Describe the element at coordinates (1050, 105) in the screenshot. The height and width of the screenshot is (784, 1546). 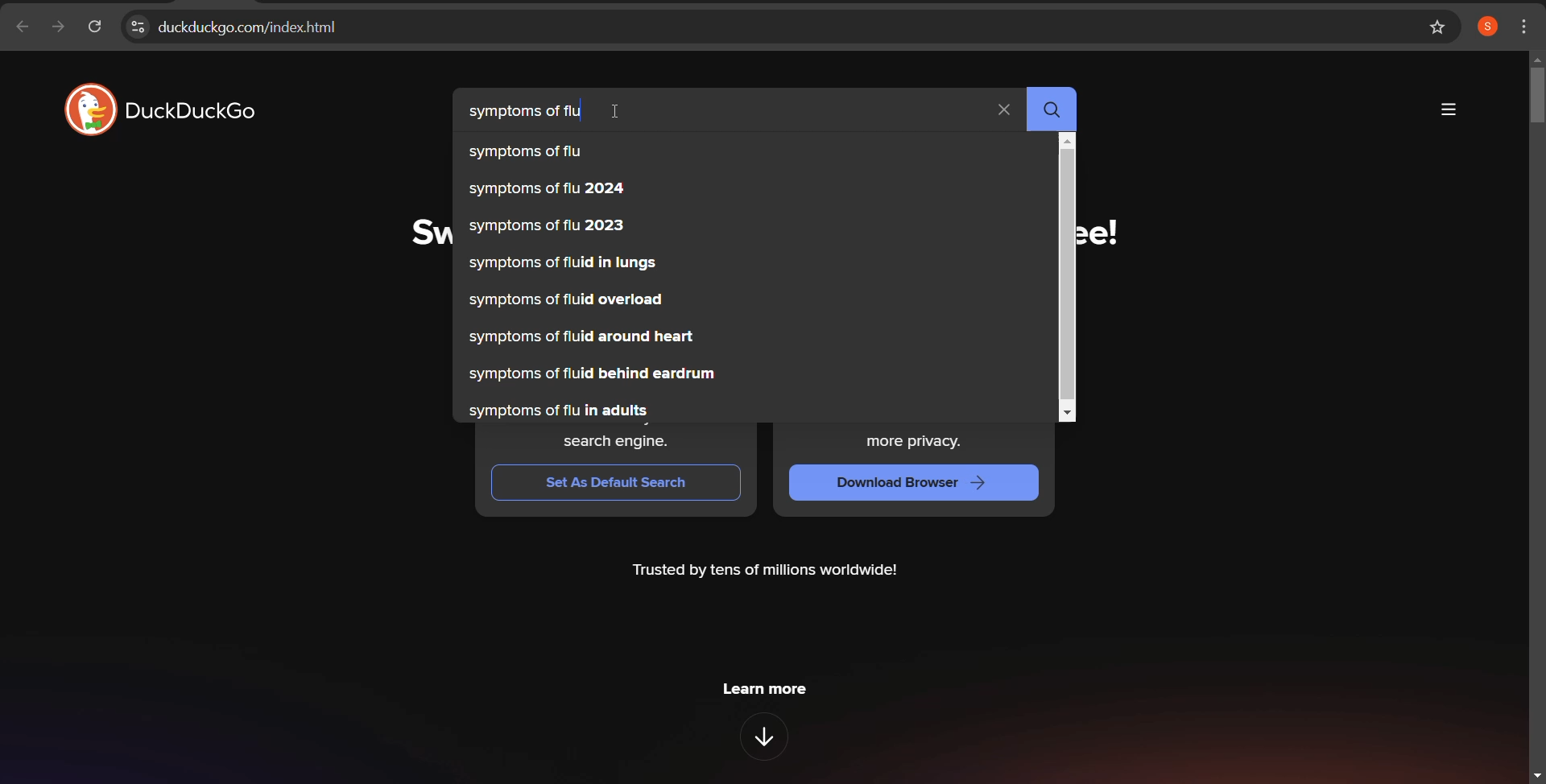
I see `search` at that location.